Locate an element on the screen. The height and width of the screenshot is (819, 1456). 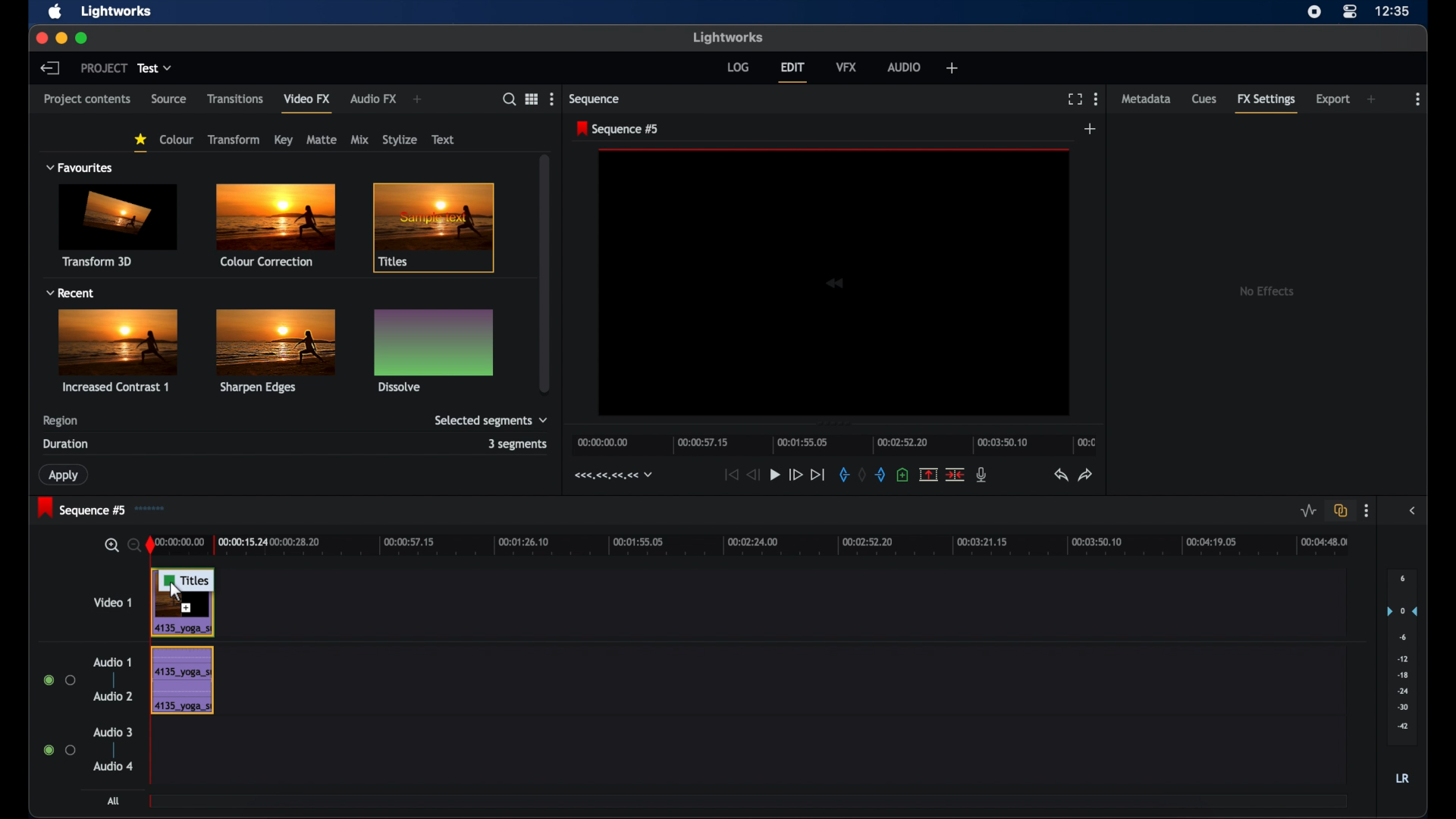
audio track is located at coordinates (182, 680).